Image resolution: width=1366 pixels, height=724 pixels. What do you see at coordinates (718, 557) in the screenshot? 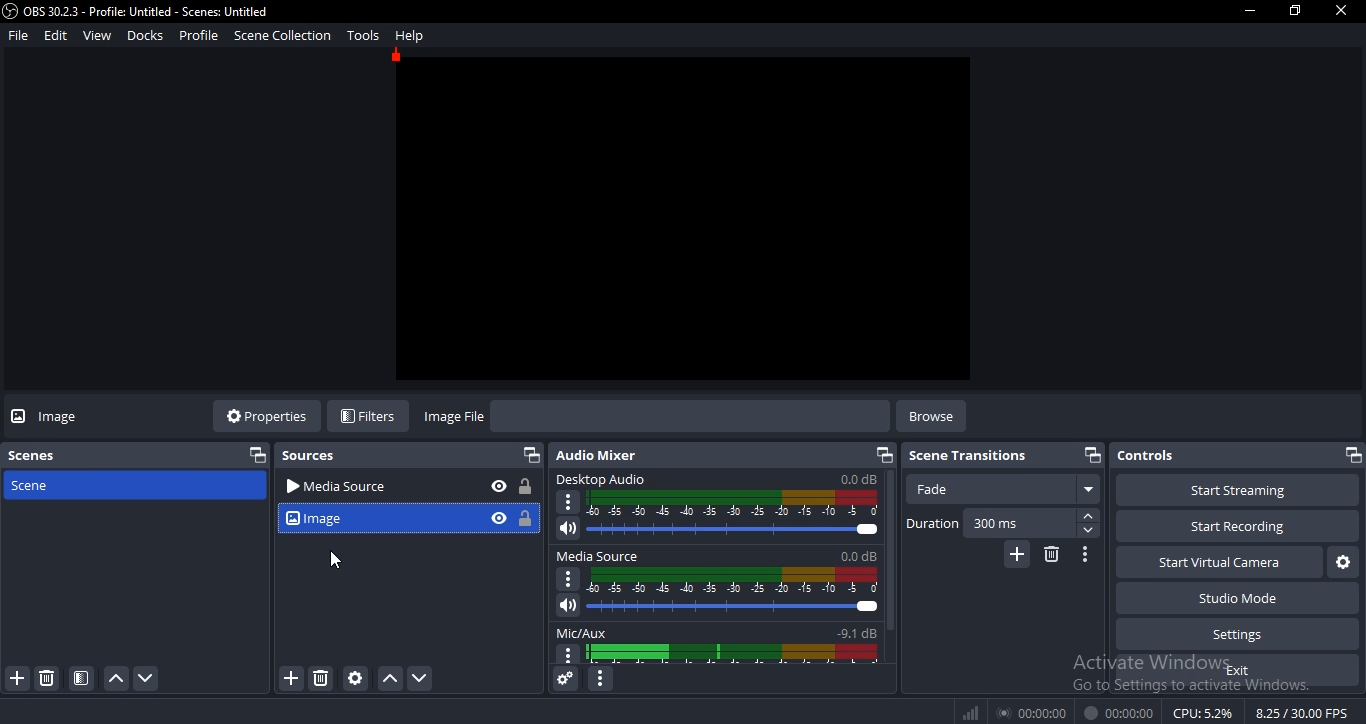
I see `media source` at bounding box center [718, 557].